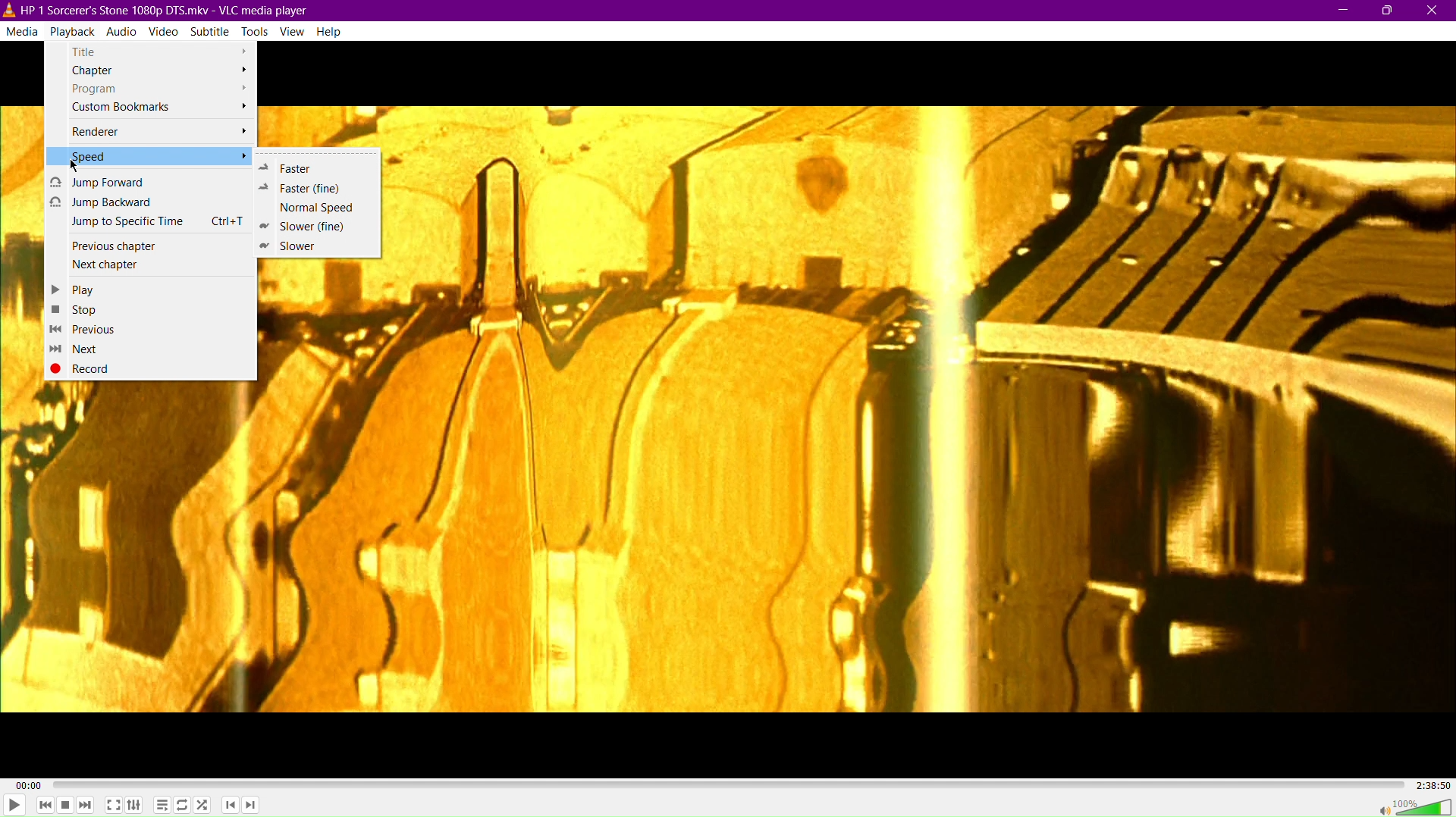  I want to click on Jump to Specific Time, so click(152, 221).